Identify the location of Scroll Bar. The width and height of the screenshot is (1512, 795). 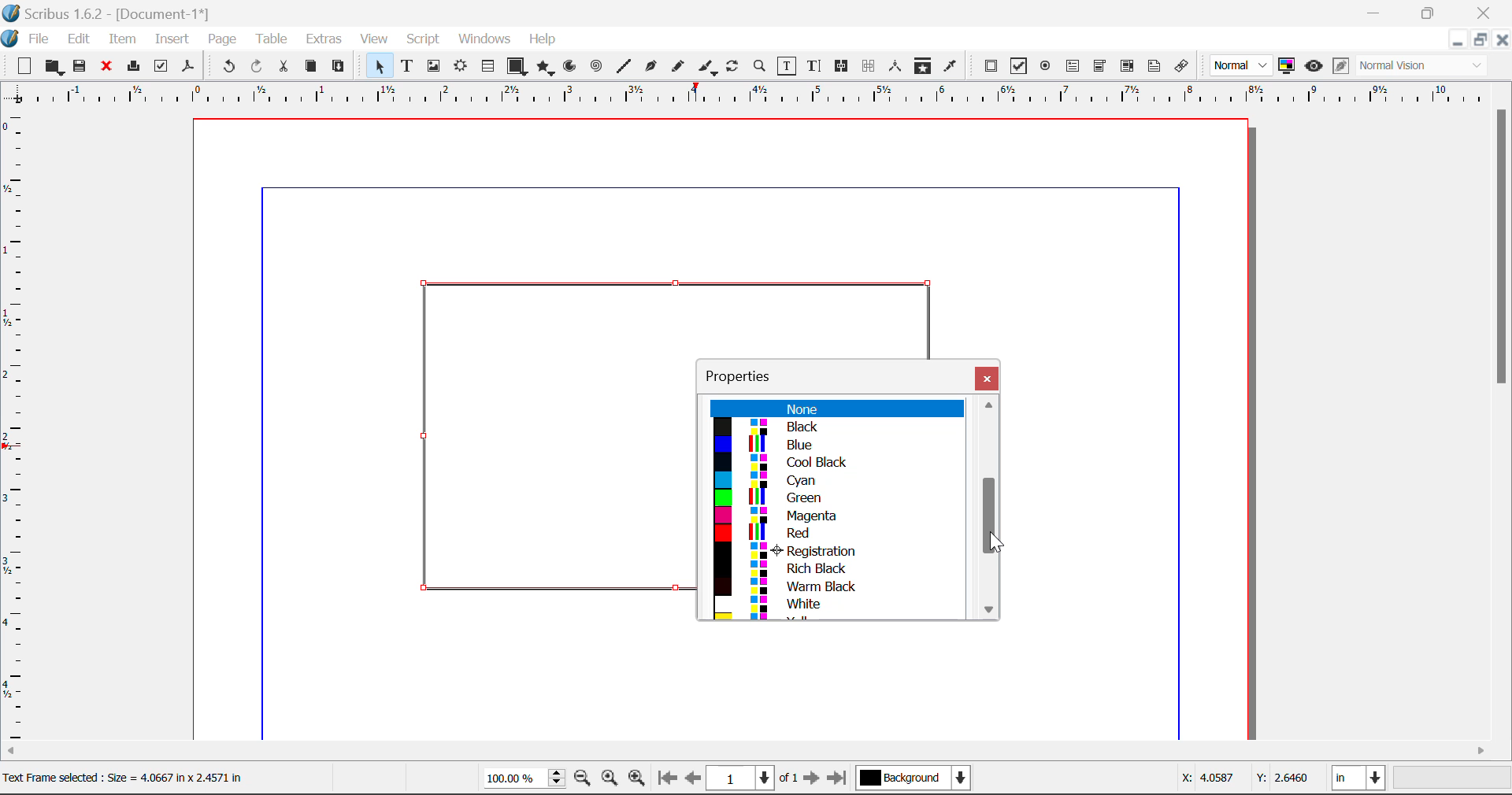
(1503, 420).